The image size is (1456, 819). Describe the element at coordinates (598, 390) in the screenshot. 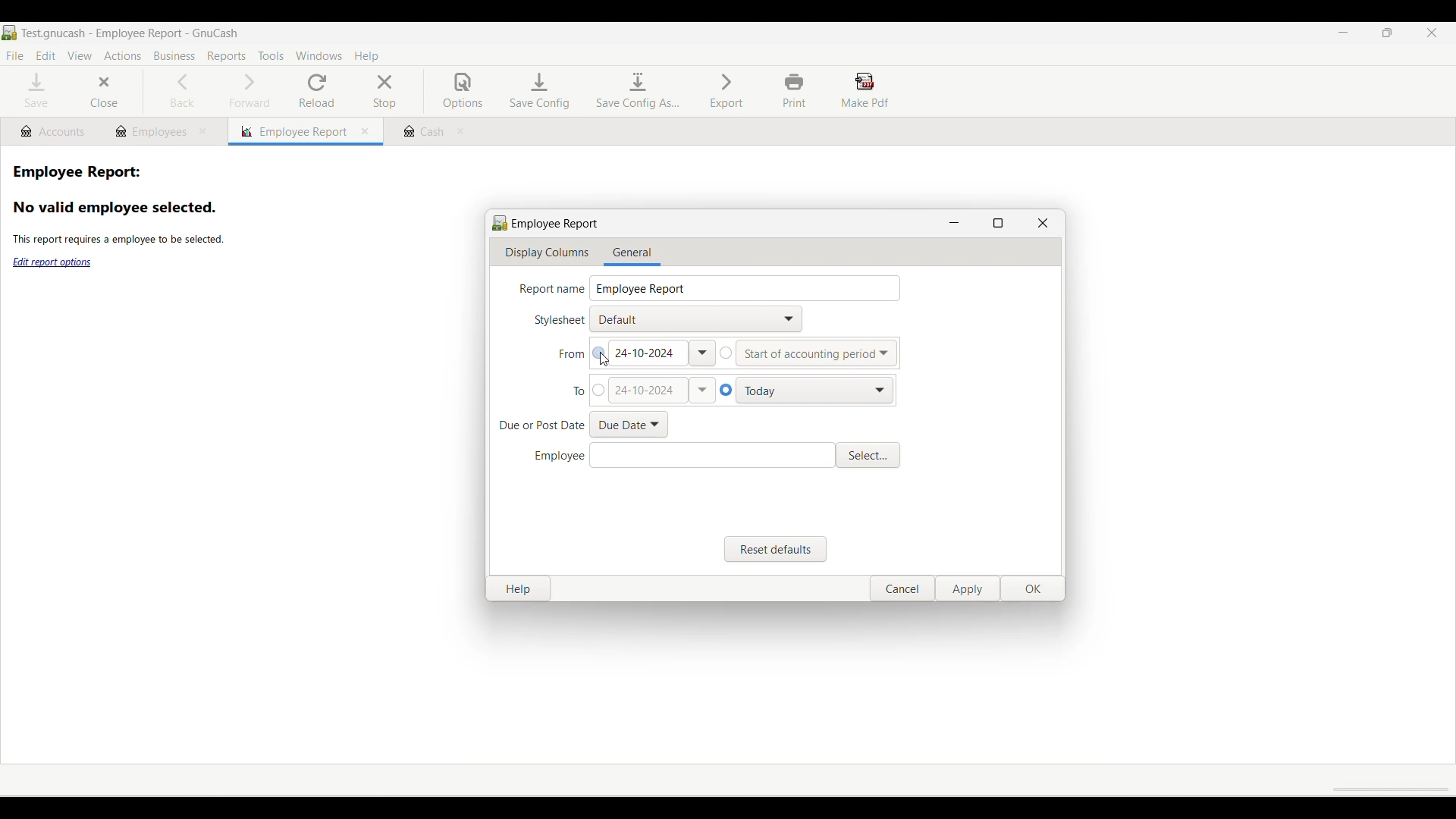

I see `Select manually changing end date of report` at that location.